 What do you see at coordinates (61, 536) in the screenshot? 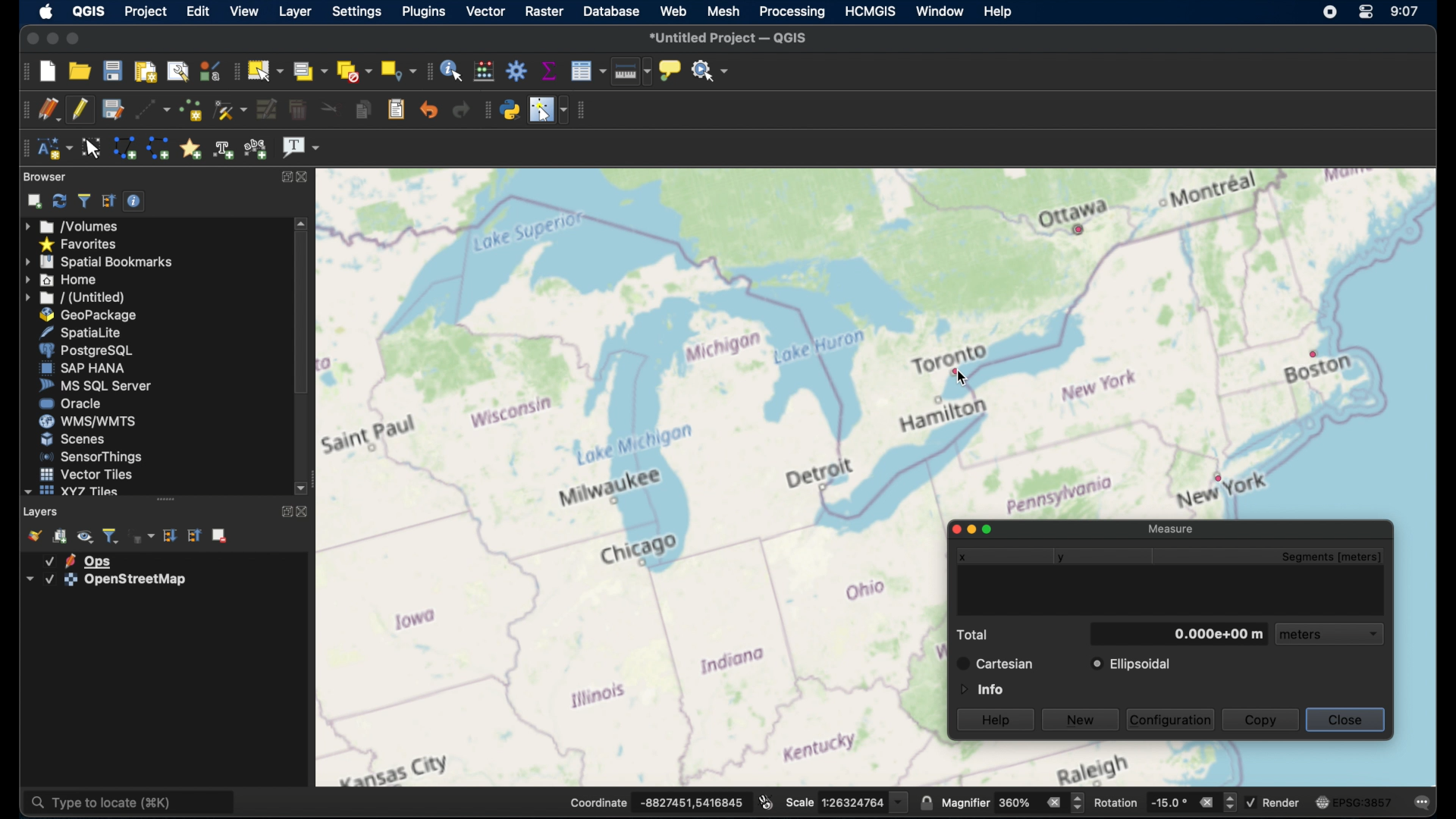
I see `add group` at bounding box center [61, 536].